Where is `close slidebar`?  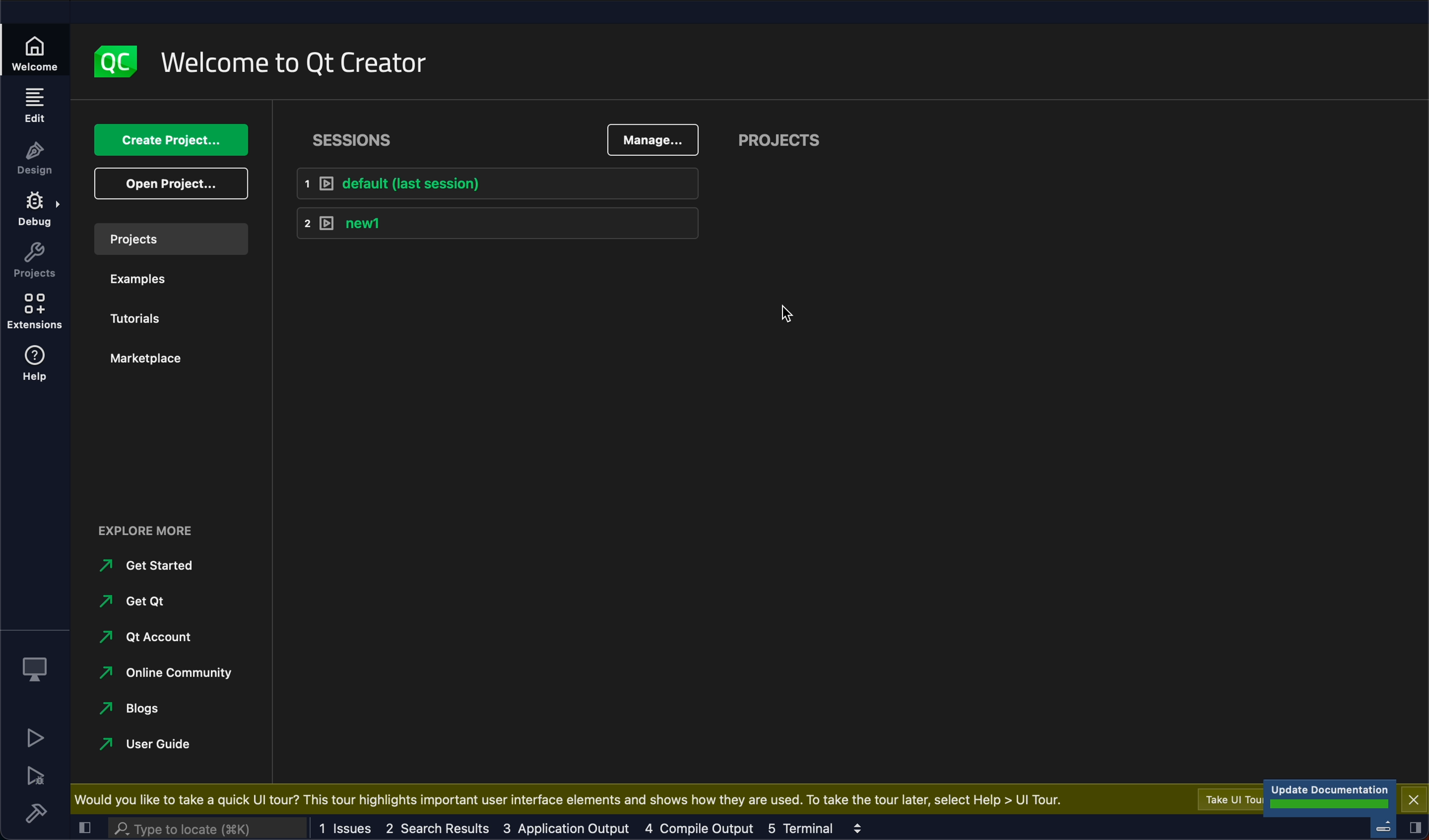
close slidebar is located at coordinates (1415, 828).